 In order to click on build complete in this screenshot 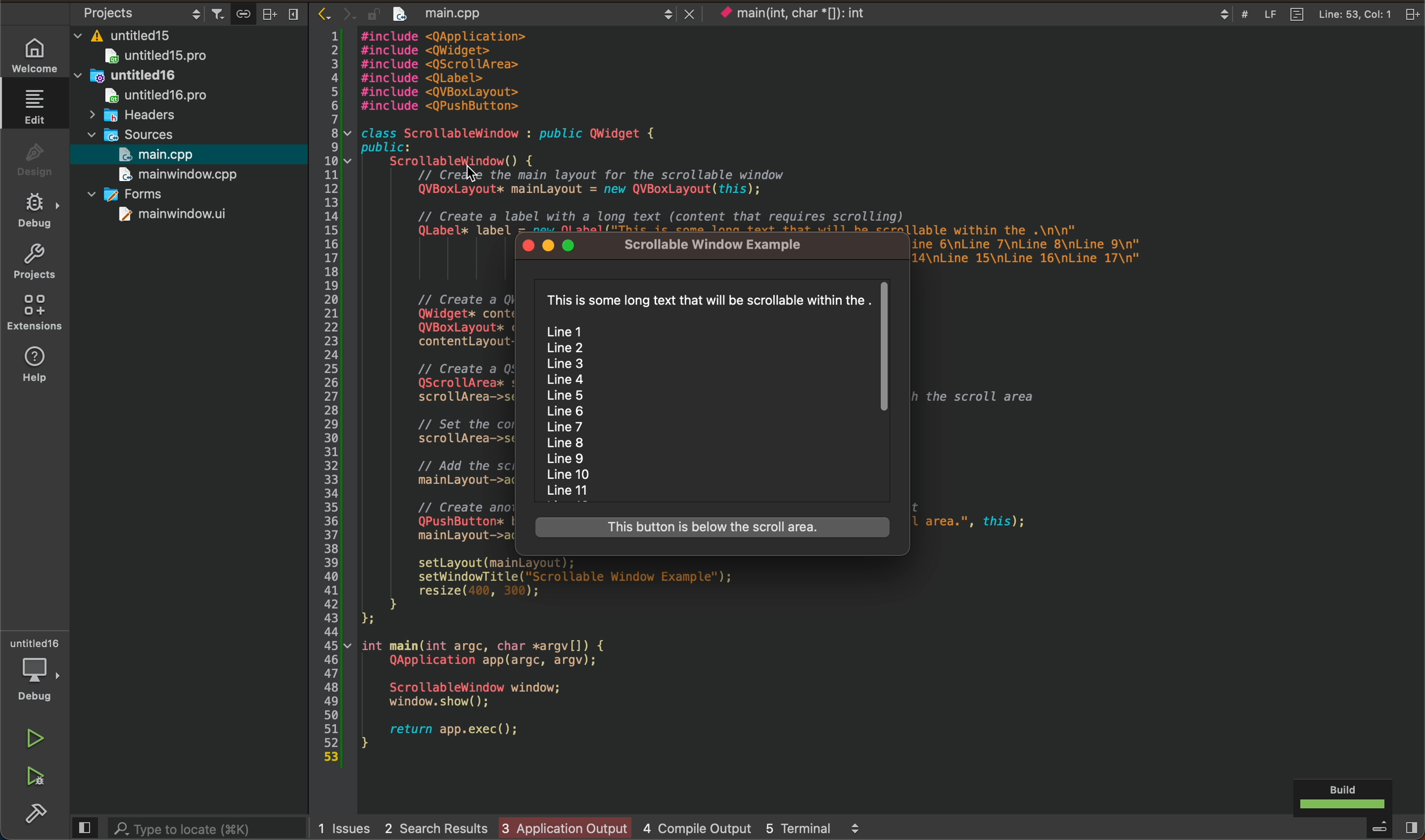, I will do `click(1347, 796)`.